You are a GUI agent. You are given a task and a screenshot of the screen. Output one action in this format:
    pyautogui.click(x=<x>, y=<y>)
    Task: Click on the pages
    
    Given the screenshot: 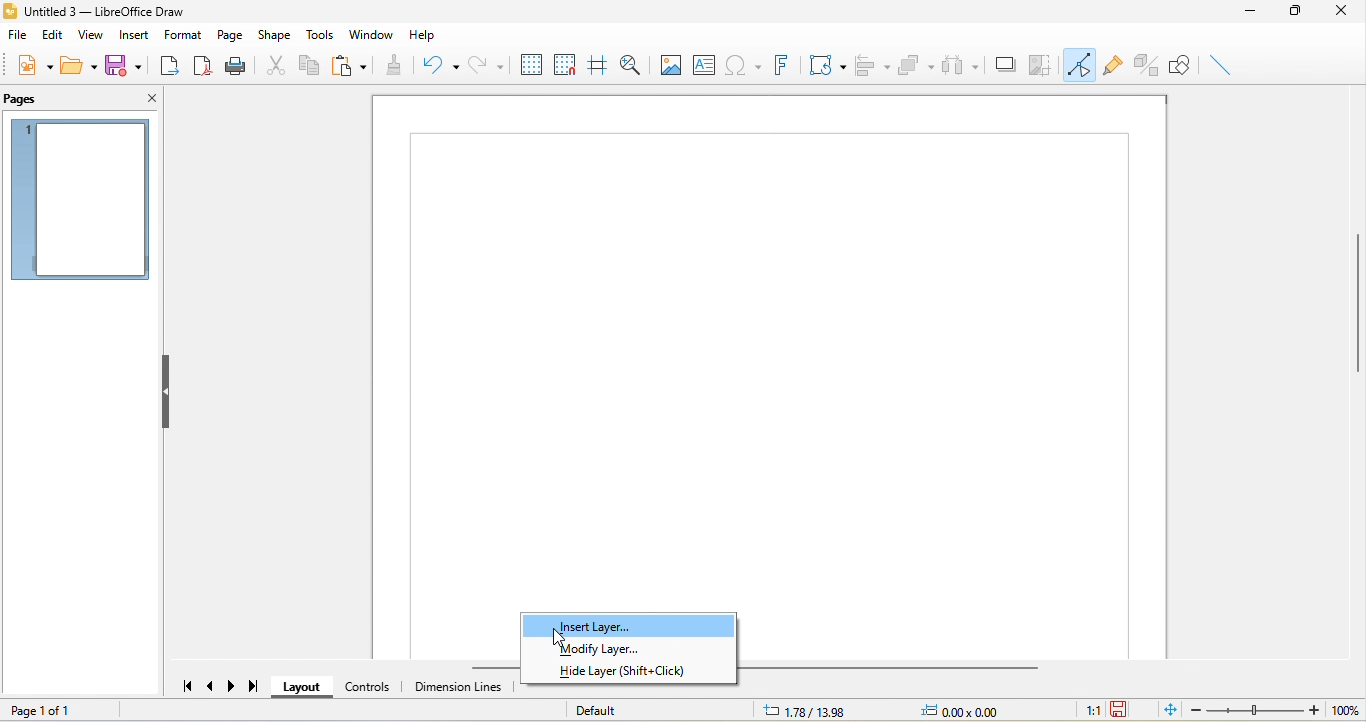 What is the action you would take?
    pyautogui.click(x=33, y=101)
    